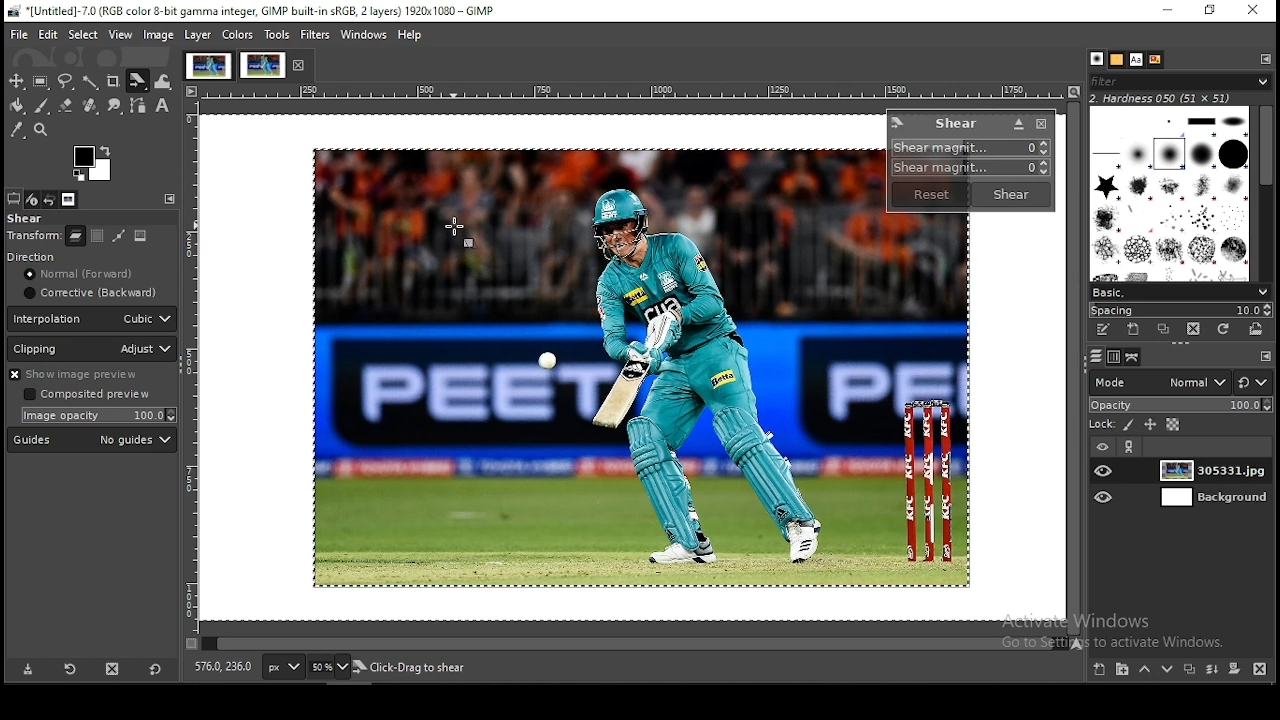 This screenshot has width=1280, height=720. What do you see at coordinates (26, 219) in the screenshot?
I see `shear` at bounding box center [26, 219].